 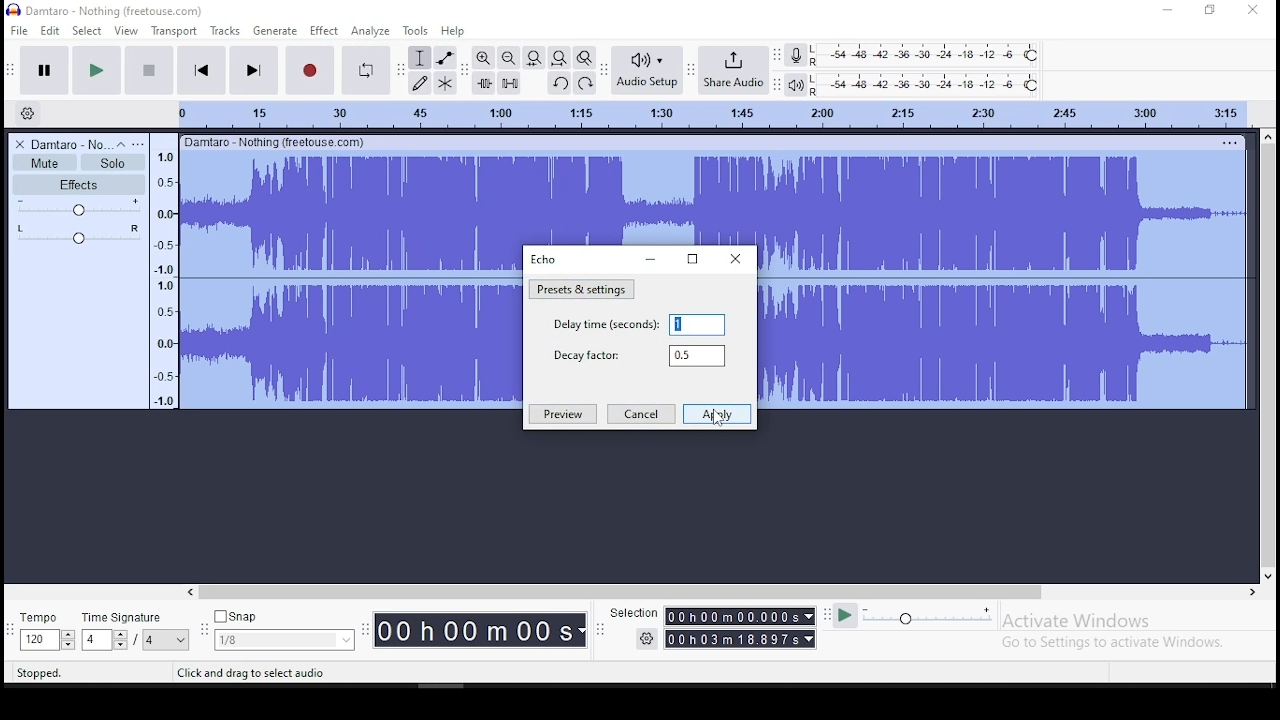 What do you see at coordinates (147, 641) in the screenshot?
I see `/4` at bounding box center [147, 641].